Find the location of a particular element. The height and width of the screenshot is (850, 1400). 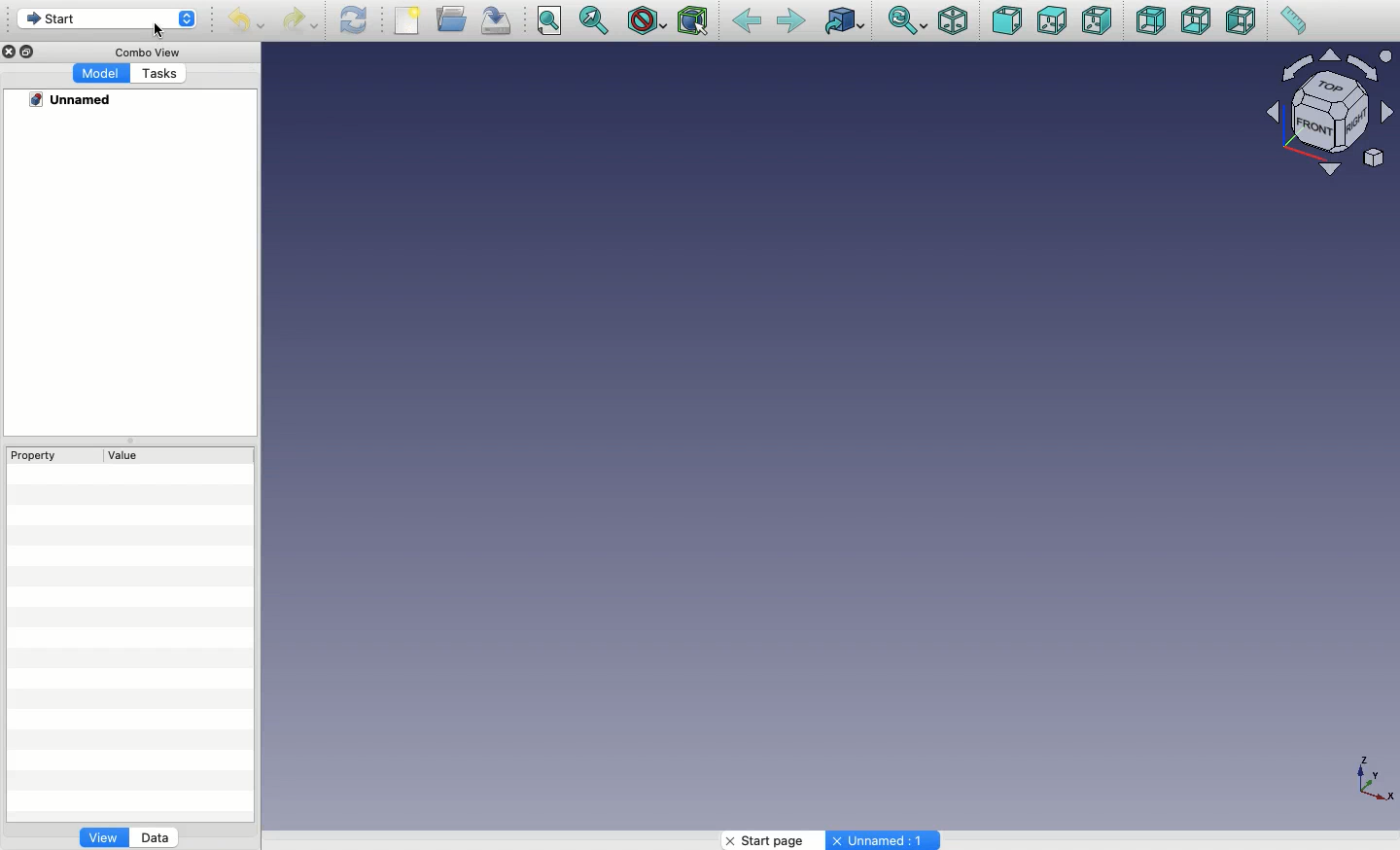

Rear is located at coordinates (1149, 21).